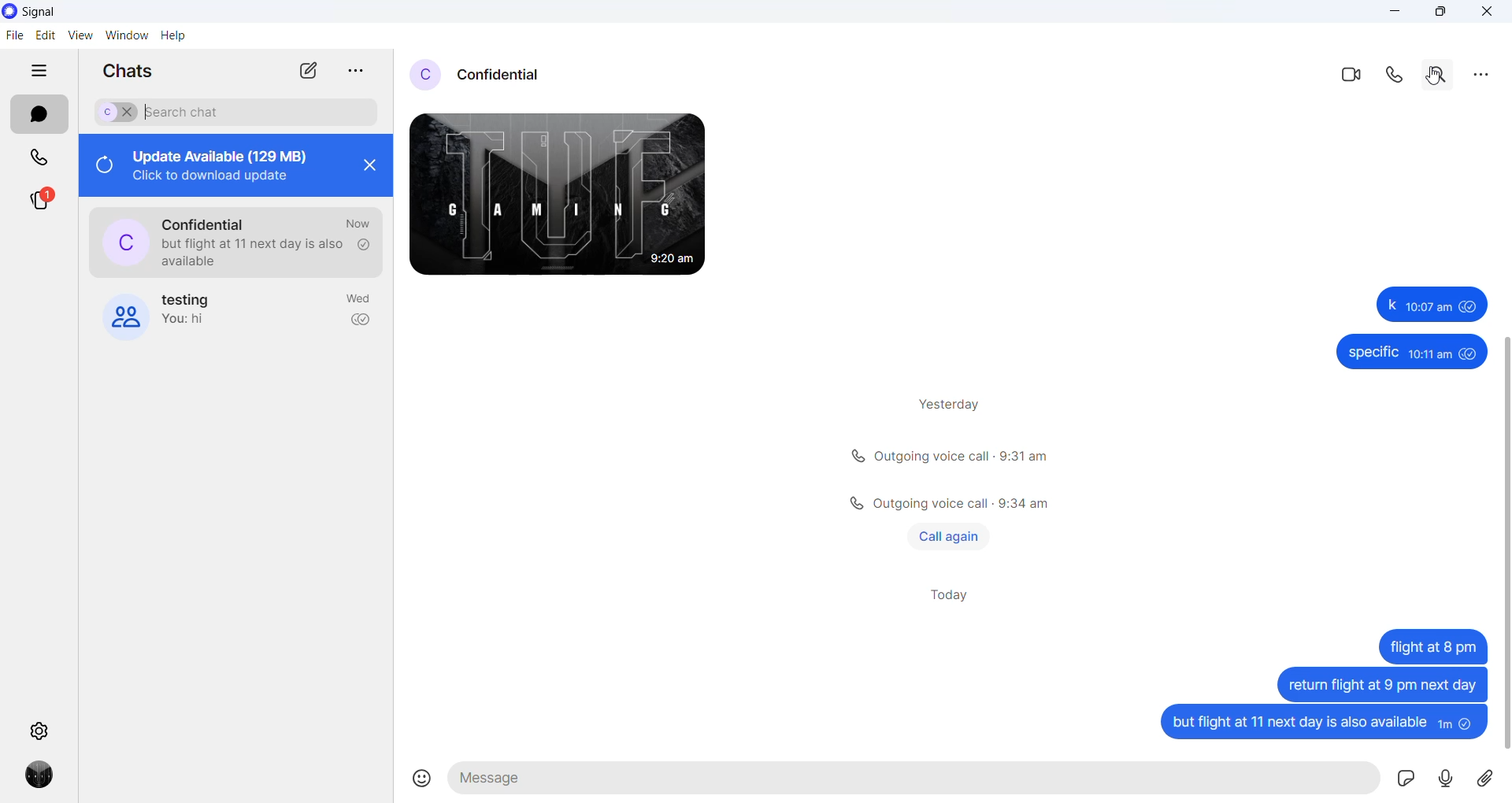  Describe the element at coordinates (43, 729) in the screenshot. I see `settings` at that location.